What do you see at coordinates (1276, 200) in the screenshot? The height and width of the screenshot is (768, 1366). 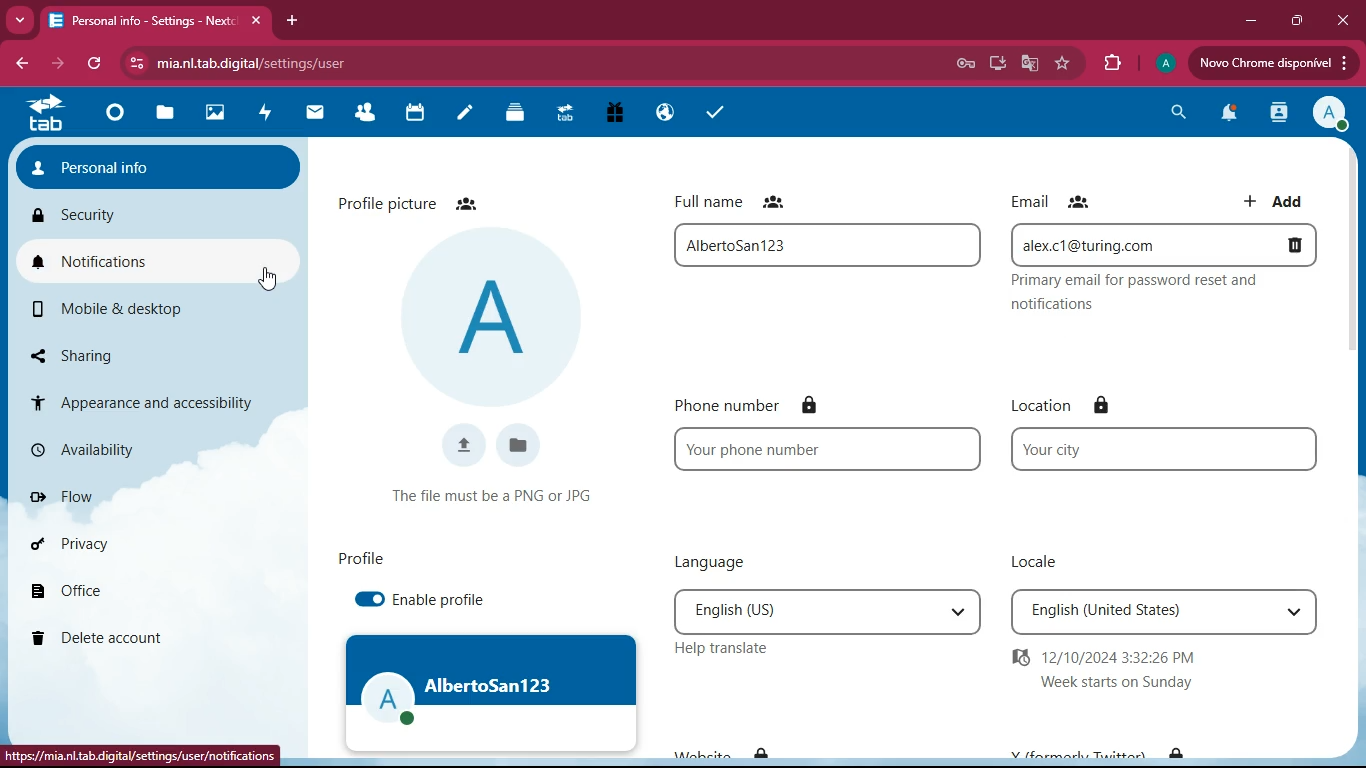 I see `add` at bounding box center [1276, 200].